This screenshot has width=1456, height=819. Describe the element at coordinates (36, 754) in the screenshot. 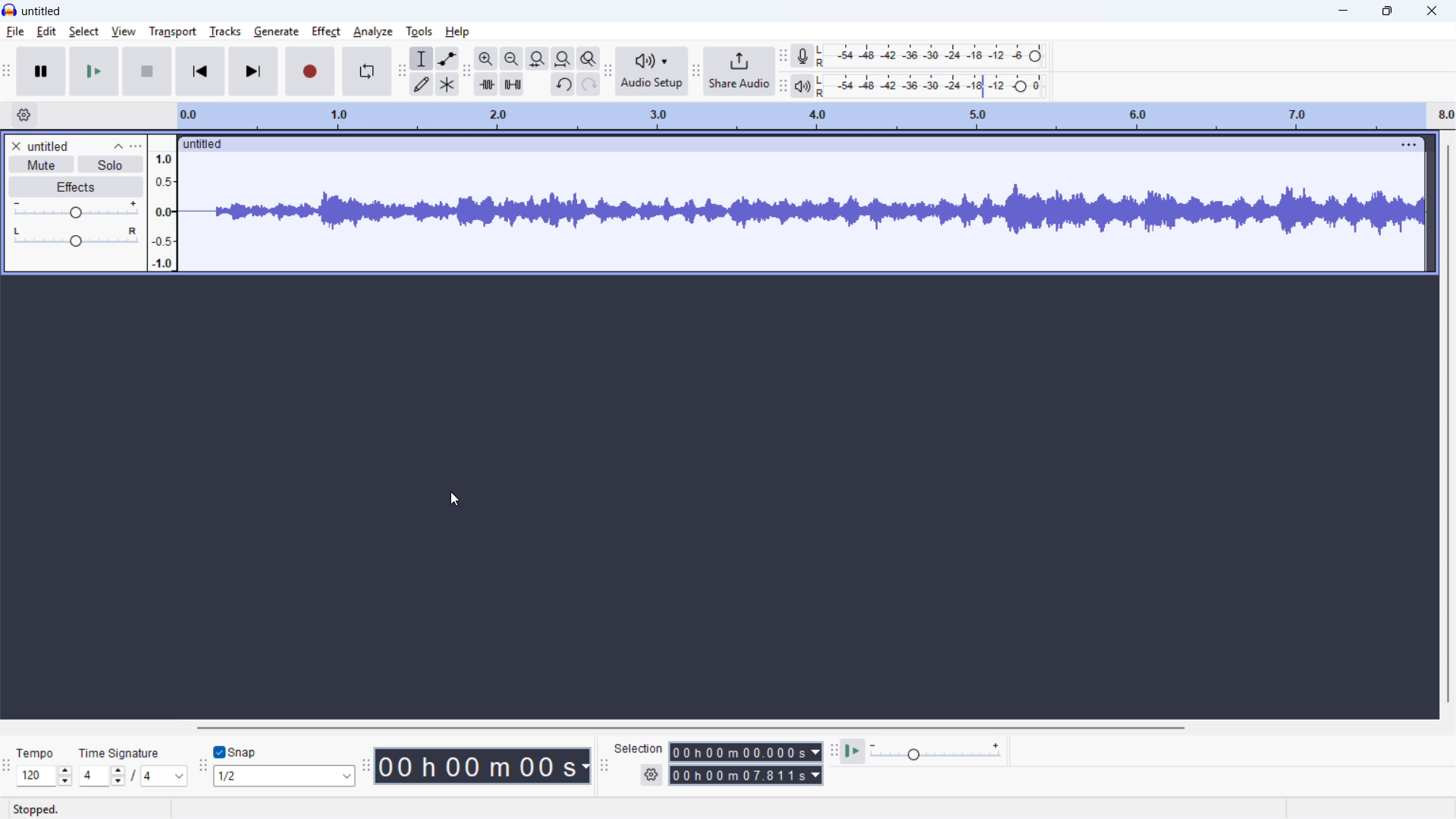

I see `tempo` at that location.